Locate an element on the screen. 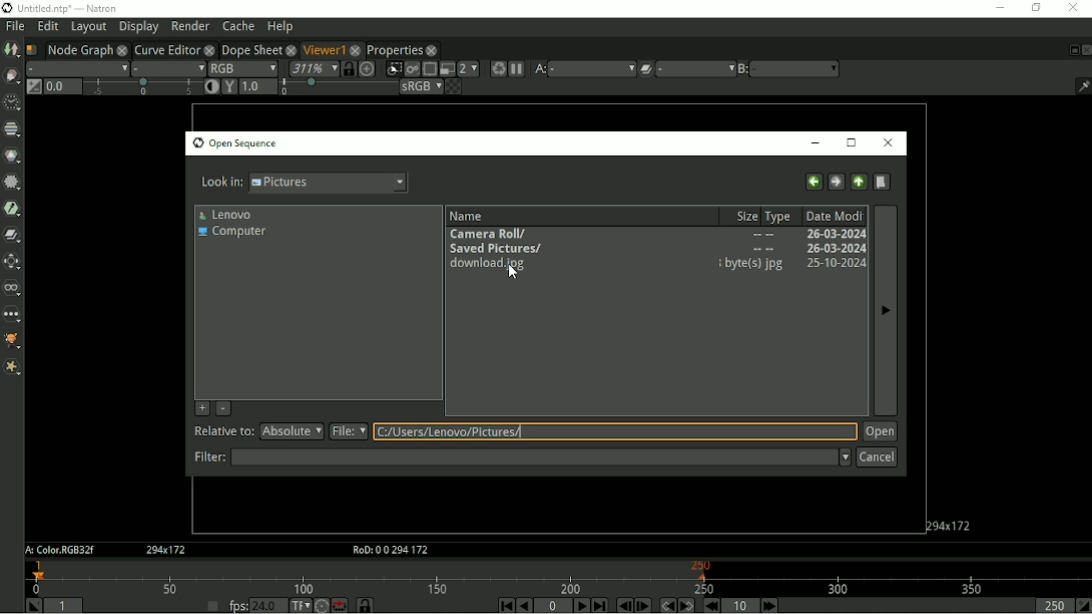 Image resolution: width=1092 pixels, height=614 pixels. Close is located at coordinates (1085, 50).